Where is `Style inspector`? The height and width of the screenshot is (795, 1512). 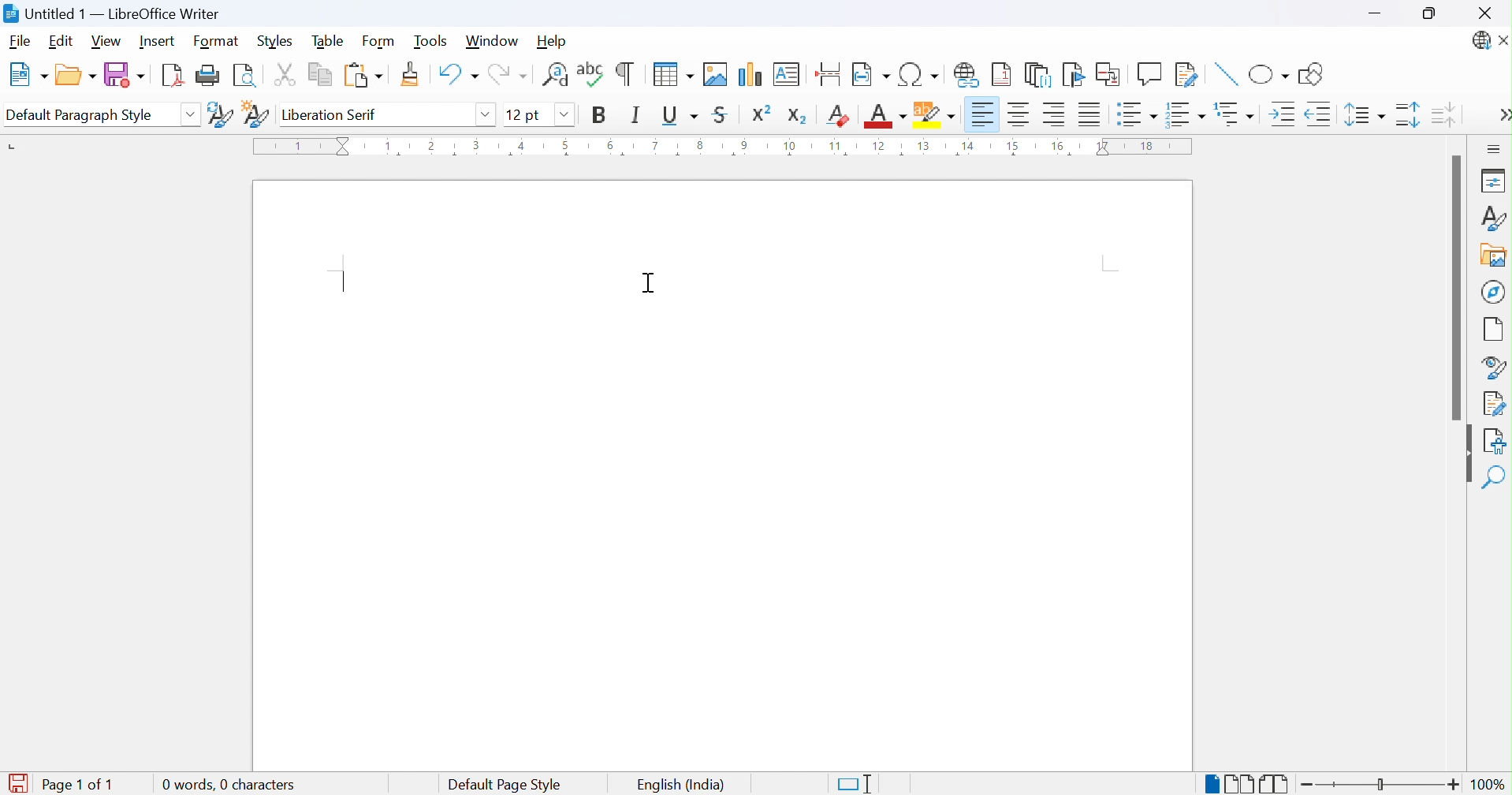 Style inspector is located at coordinates (1492, 366).